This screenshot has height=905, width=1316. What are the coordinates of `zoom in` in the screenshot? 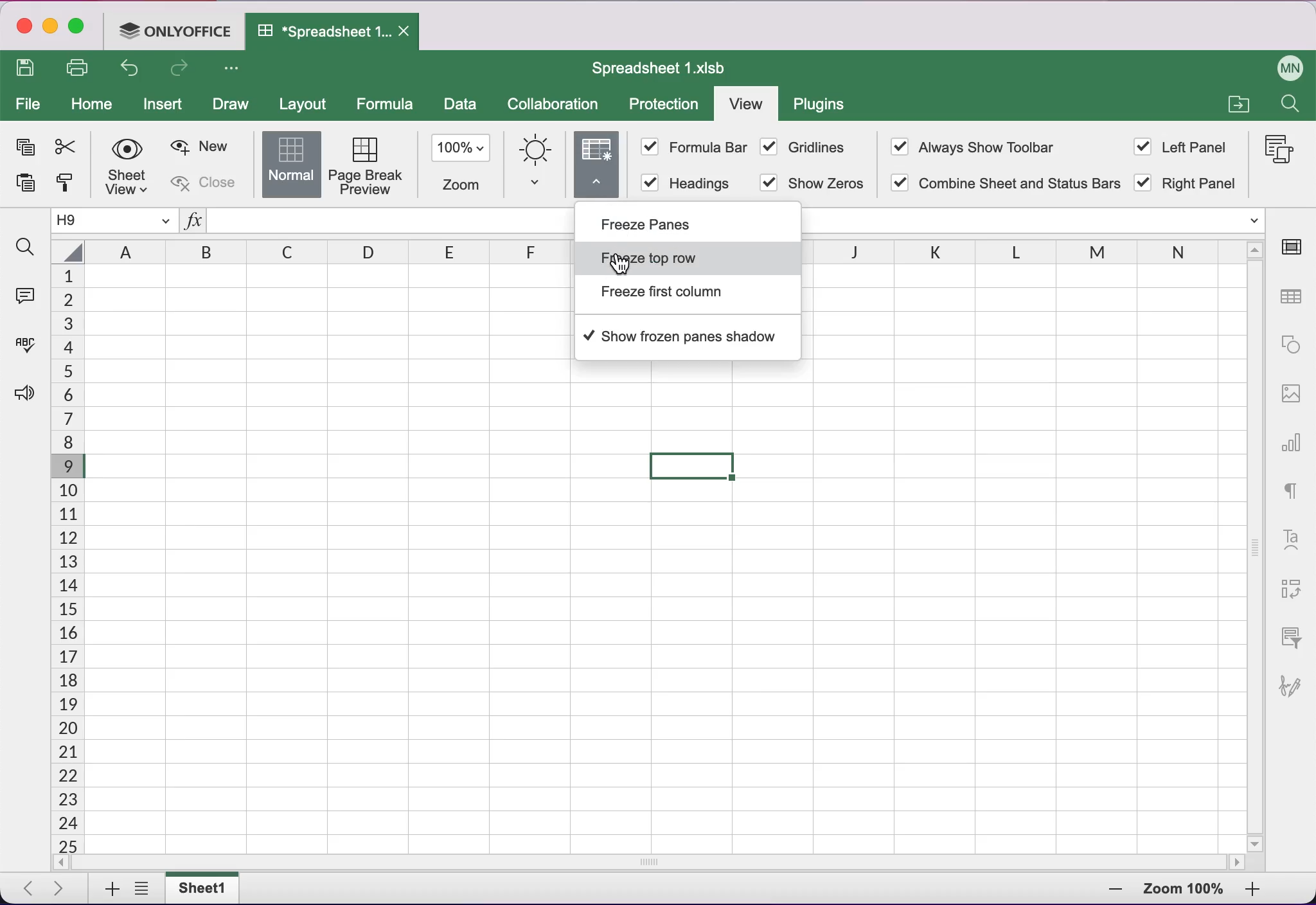 It's located at (1103, 892).